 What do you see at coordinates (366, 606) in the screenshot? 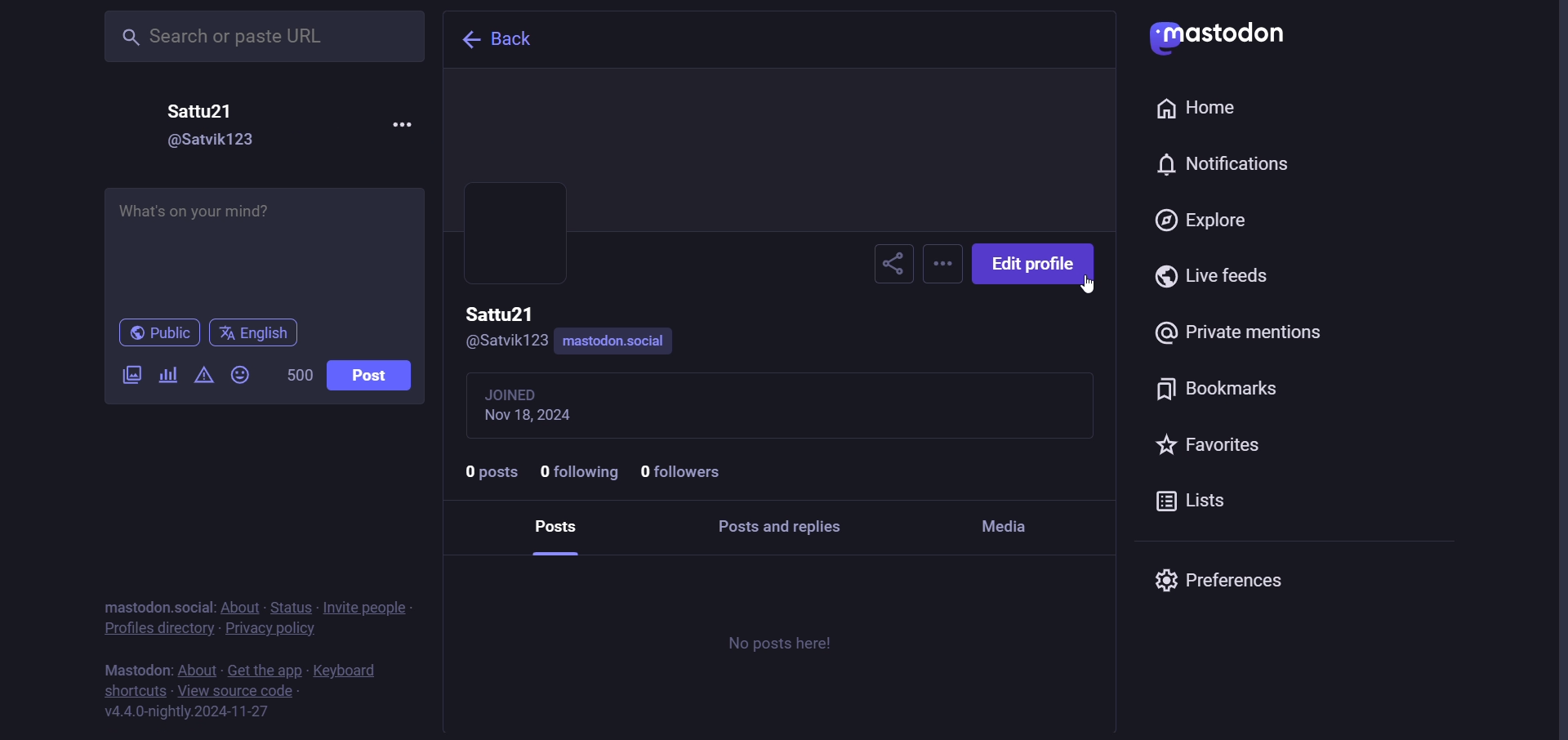
I see `invite people` at bounding box center [366, 606].